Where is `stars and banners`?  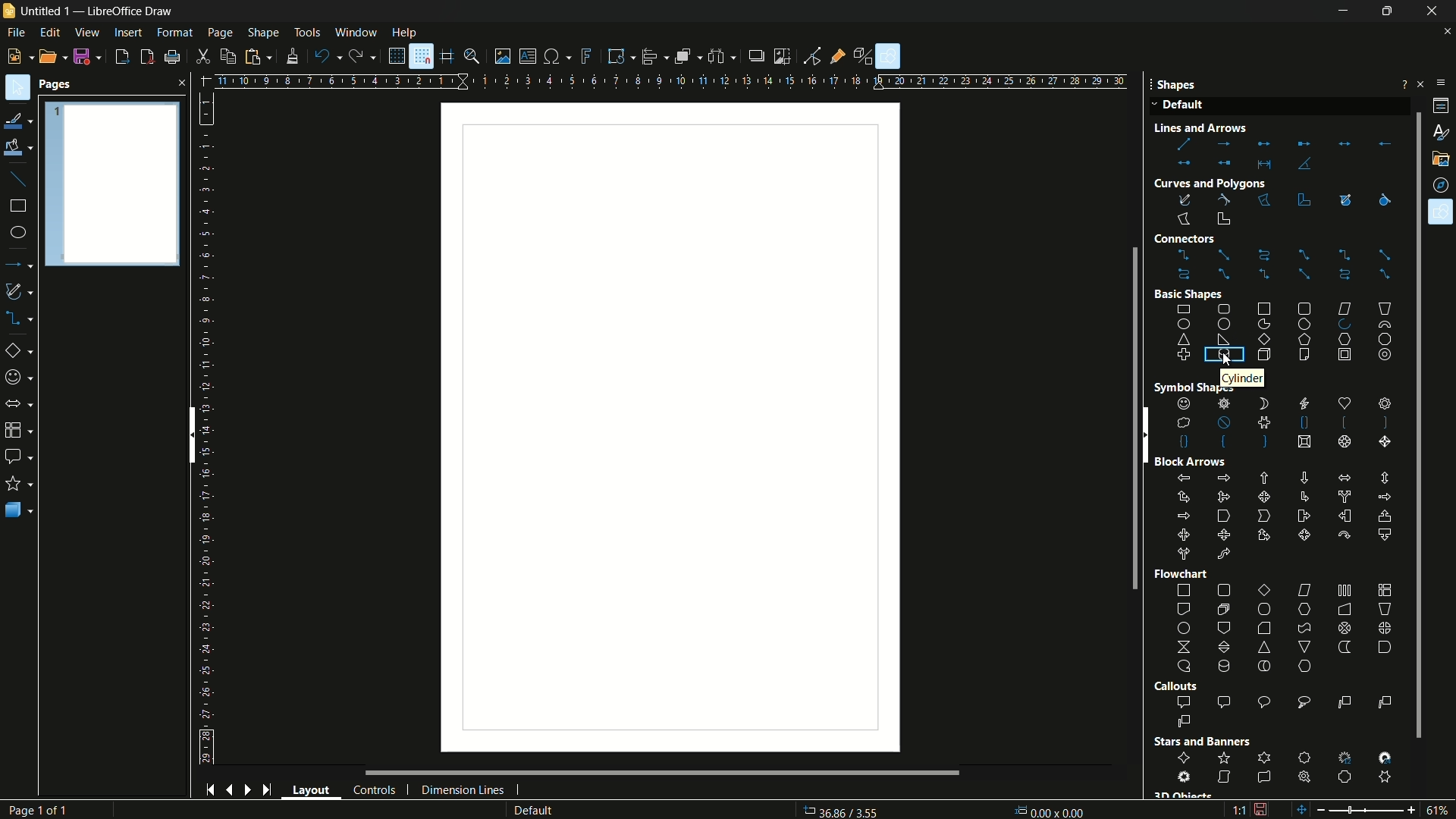
stars and banners is located at coordinates (1289, 767).